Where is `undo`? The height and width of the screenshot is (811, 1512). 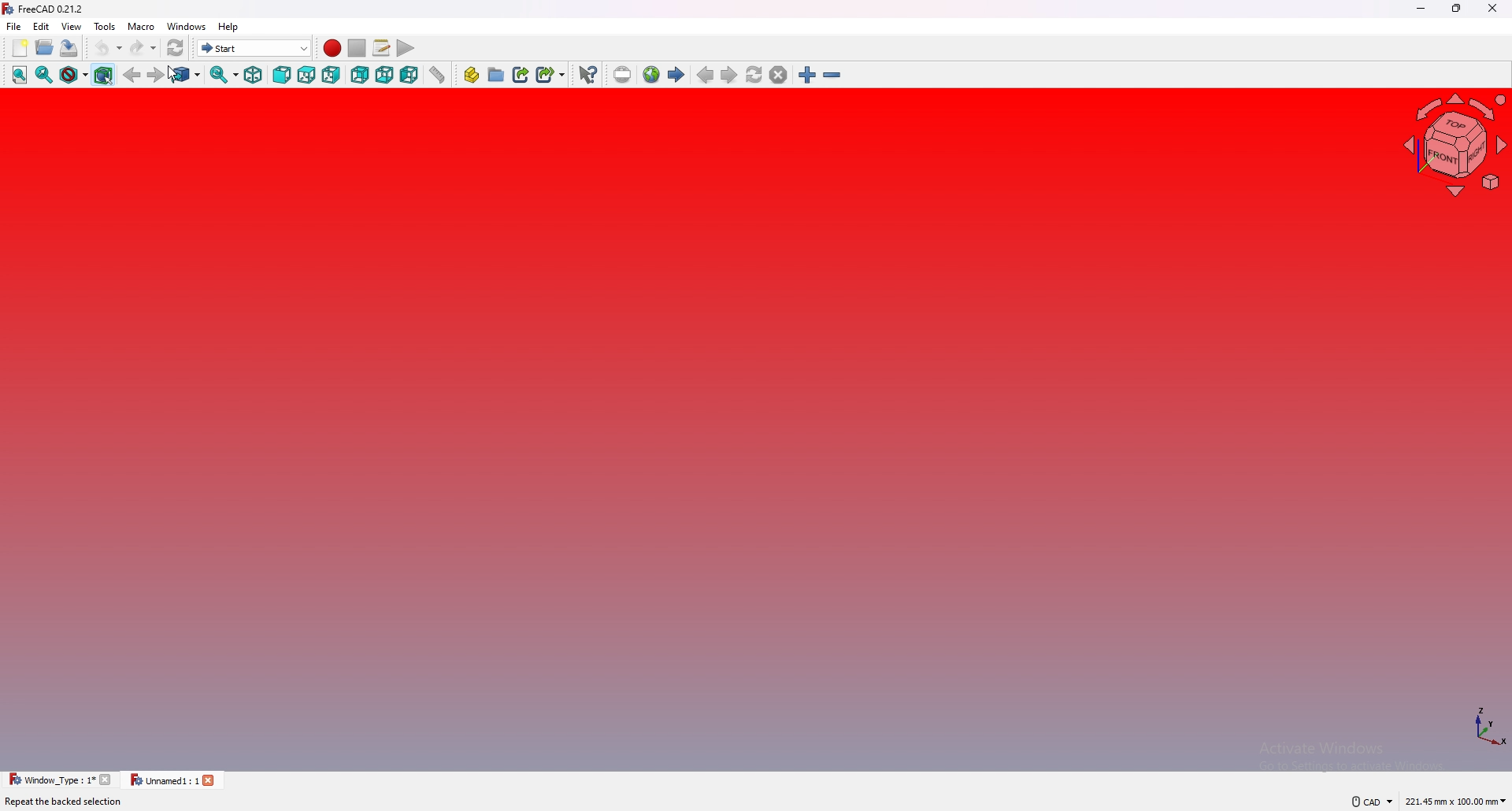
undo is located at coordinates (109, 47).